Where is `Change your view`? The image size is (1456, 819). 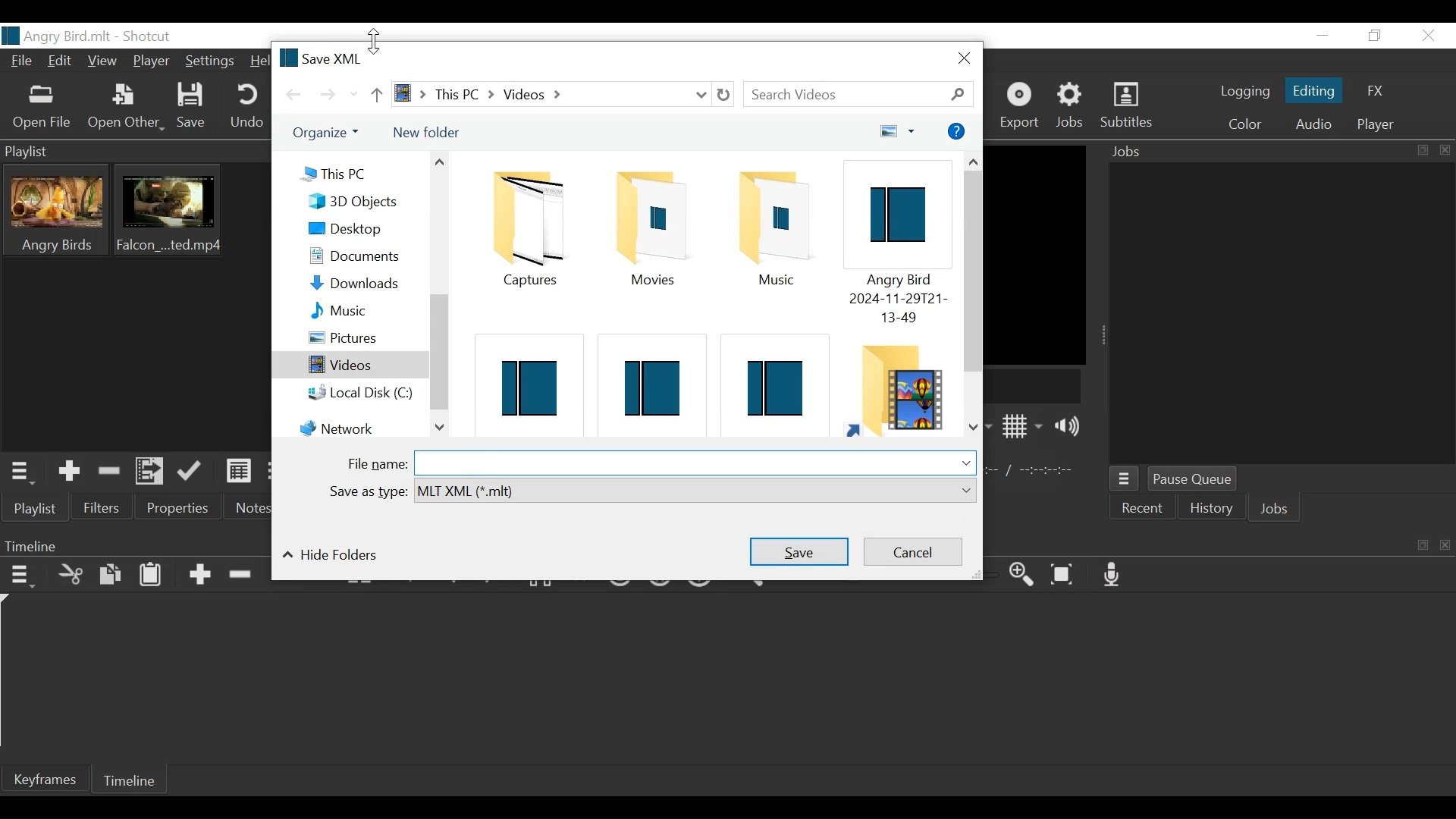
Change your view is located at coordinates (898, 131).